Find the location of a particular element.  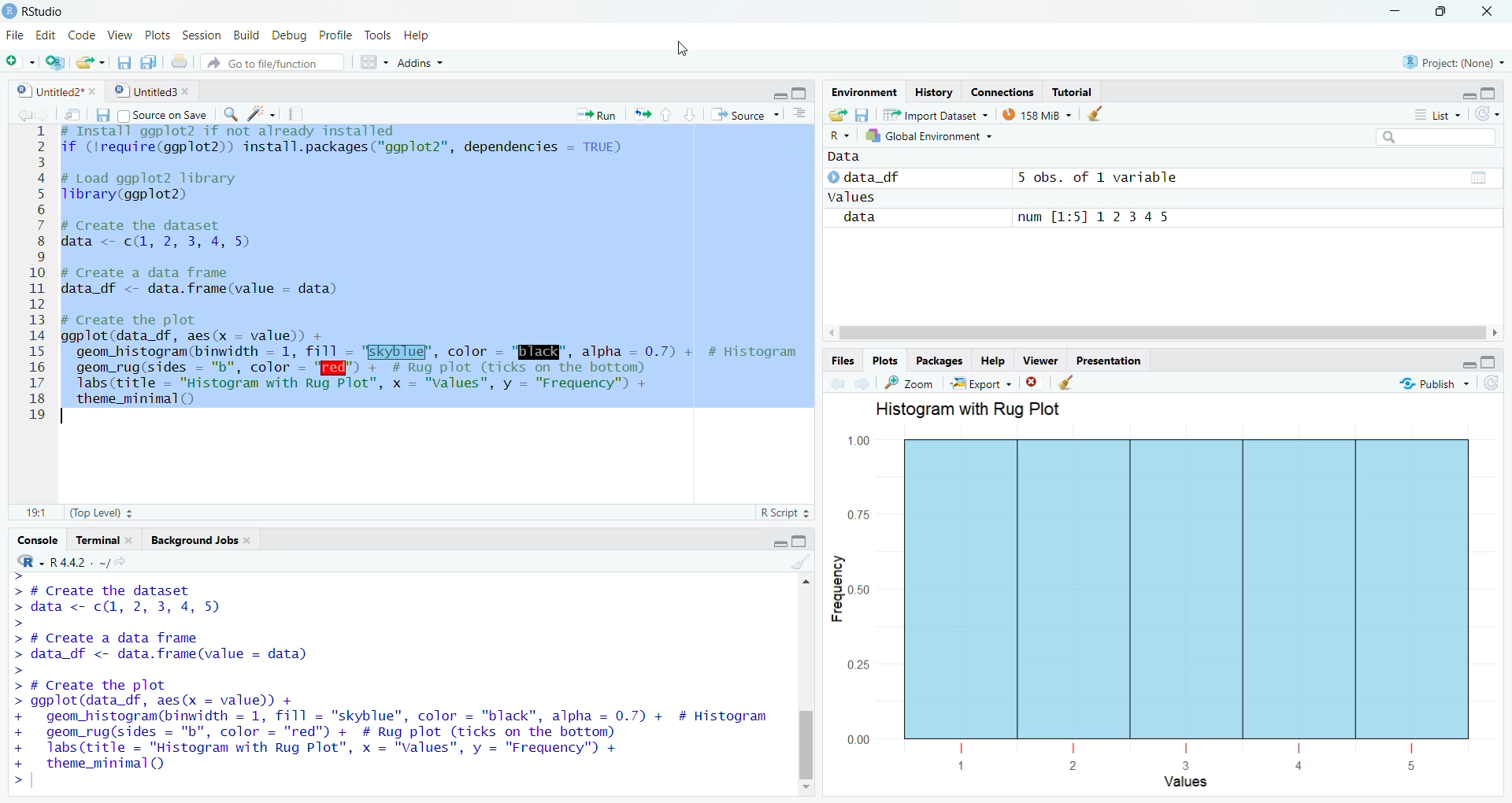

View is located at coordinates (120, 35).